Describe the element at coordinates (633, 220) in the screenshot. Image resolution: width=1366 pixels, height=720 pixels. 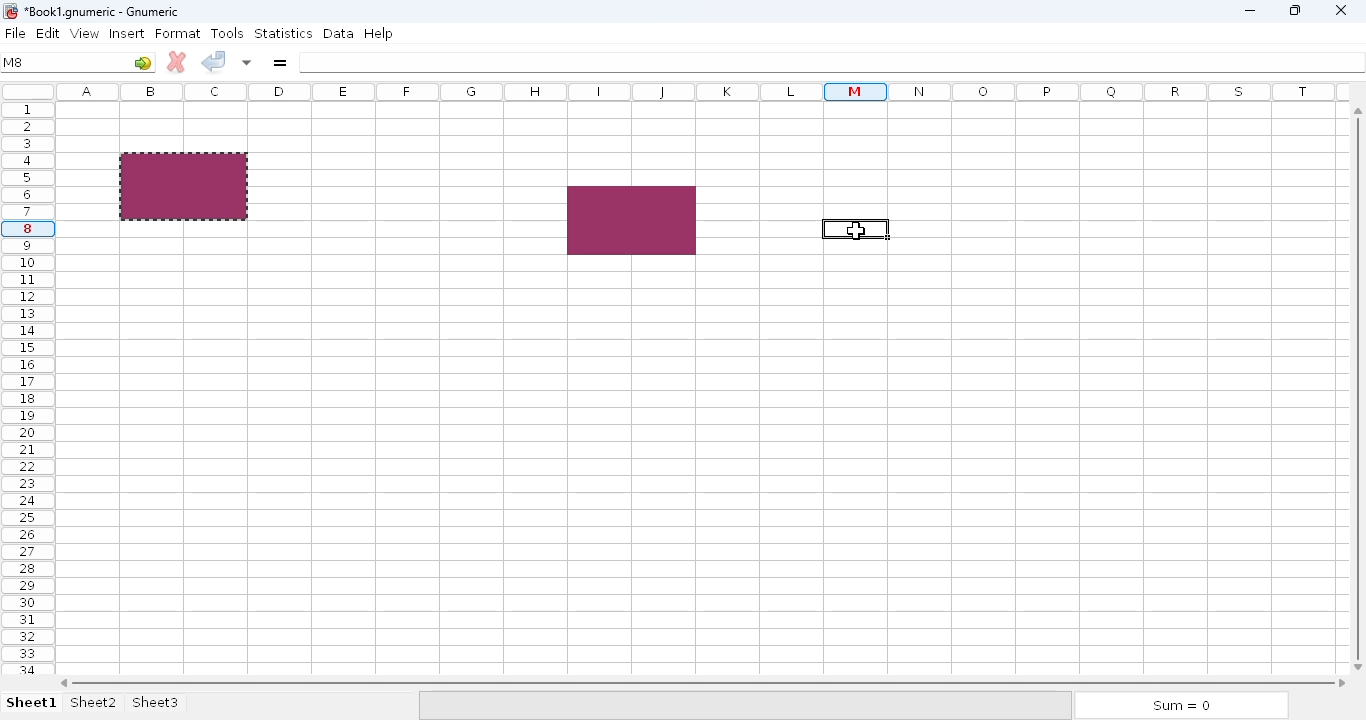
I see `selected range duplicated to another location` at that location.